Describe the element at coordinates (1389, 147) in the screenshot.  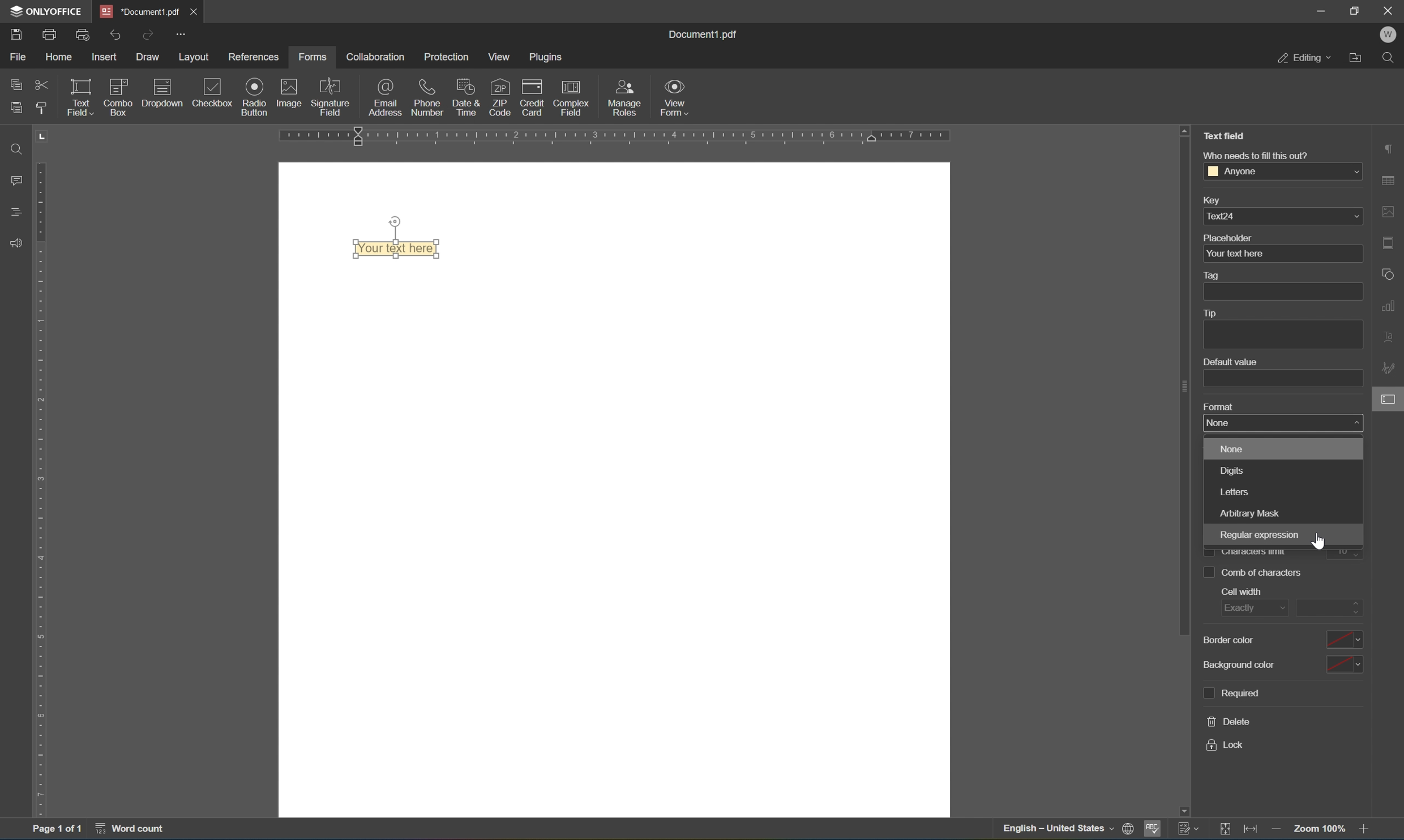
I see `paragraph settings` at that location.